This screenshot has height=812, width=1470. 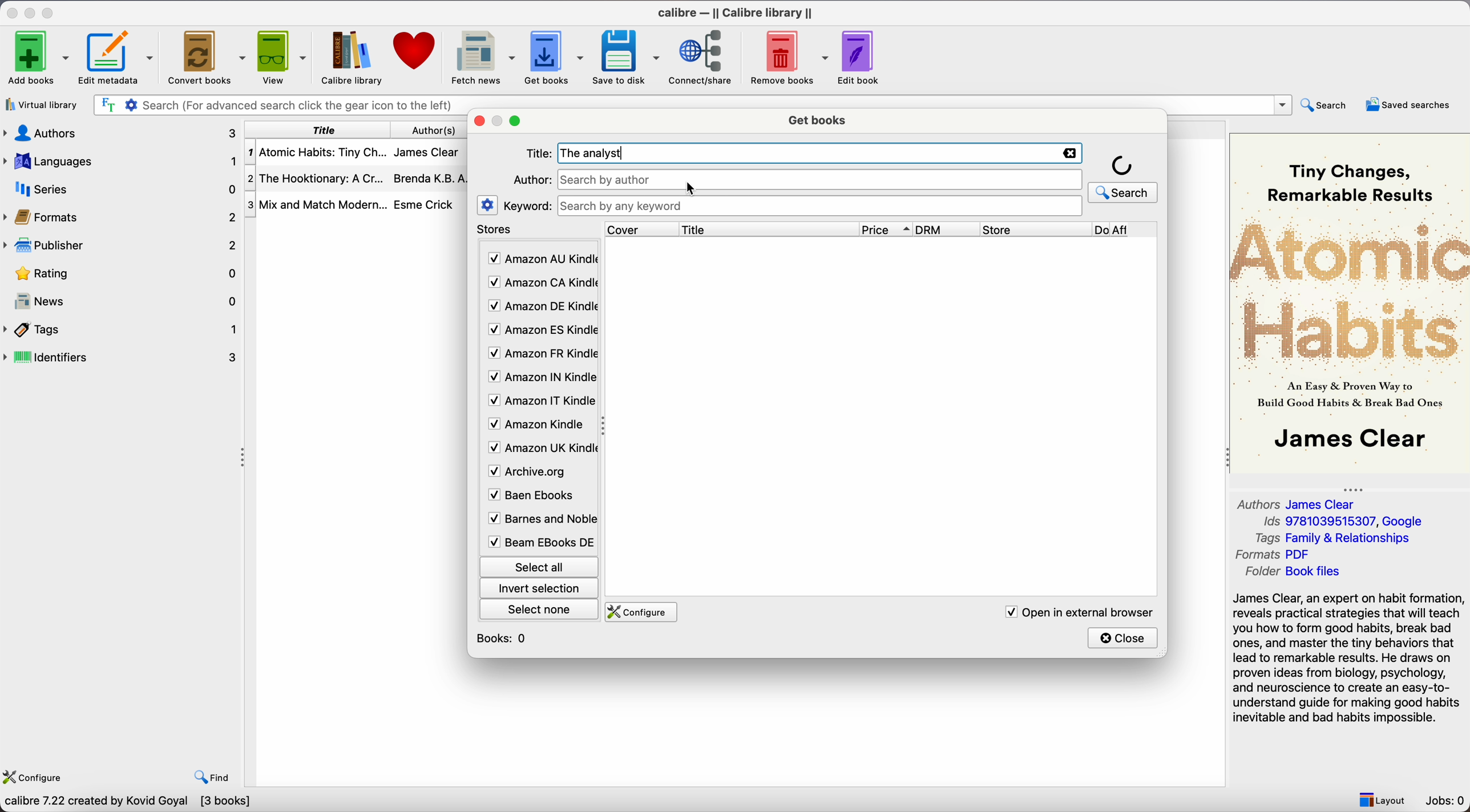 What do you see at coordinates (734, 11) in the screenshot?
I see `Calibre - || Calibre library ||` at bounding box center [734, 11].